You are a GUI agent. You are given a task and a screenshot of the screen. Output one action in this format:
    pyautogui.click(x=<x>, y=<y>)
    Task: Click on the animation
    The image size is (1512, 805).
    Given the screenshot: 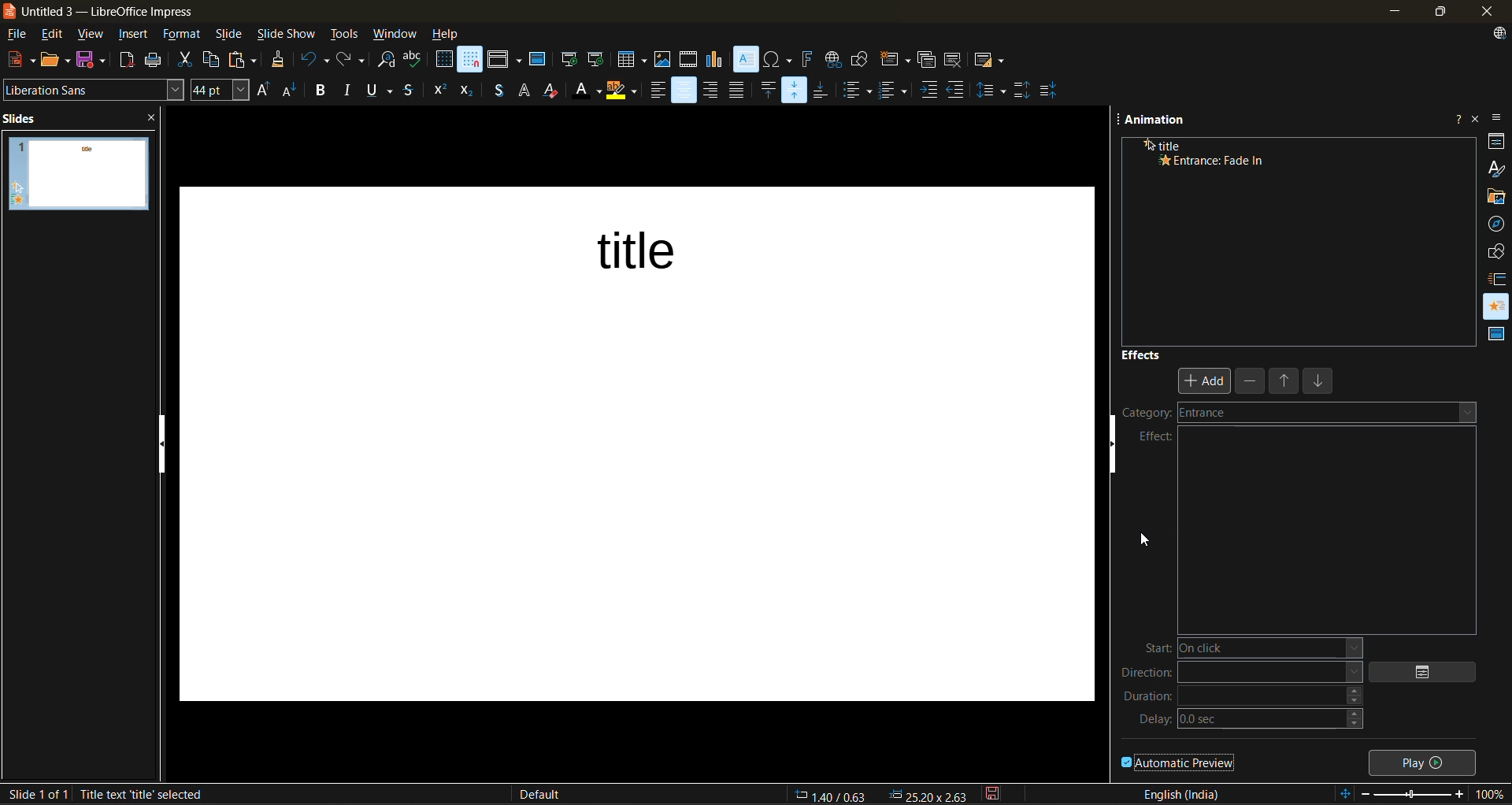 What is the action you would take?
    pyautogui.click(x=1497, y=302)
    